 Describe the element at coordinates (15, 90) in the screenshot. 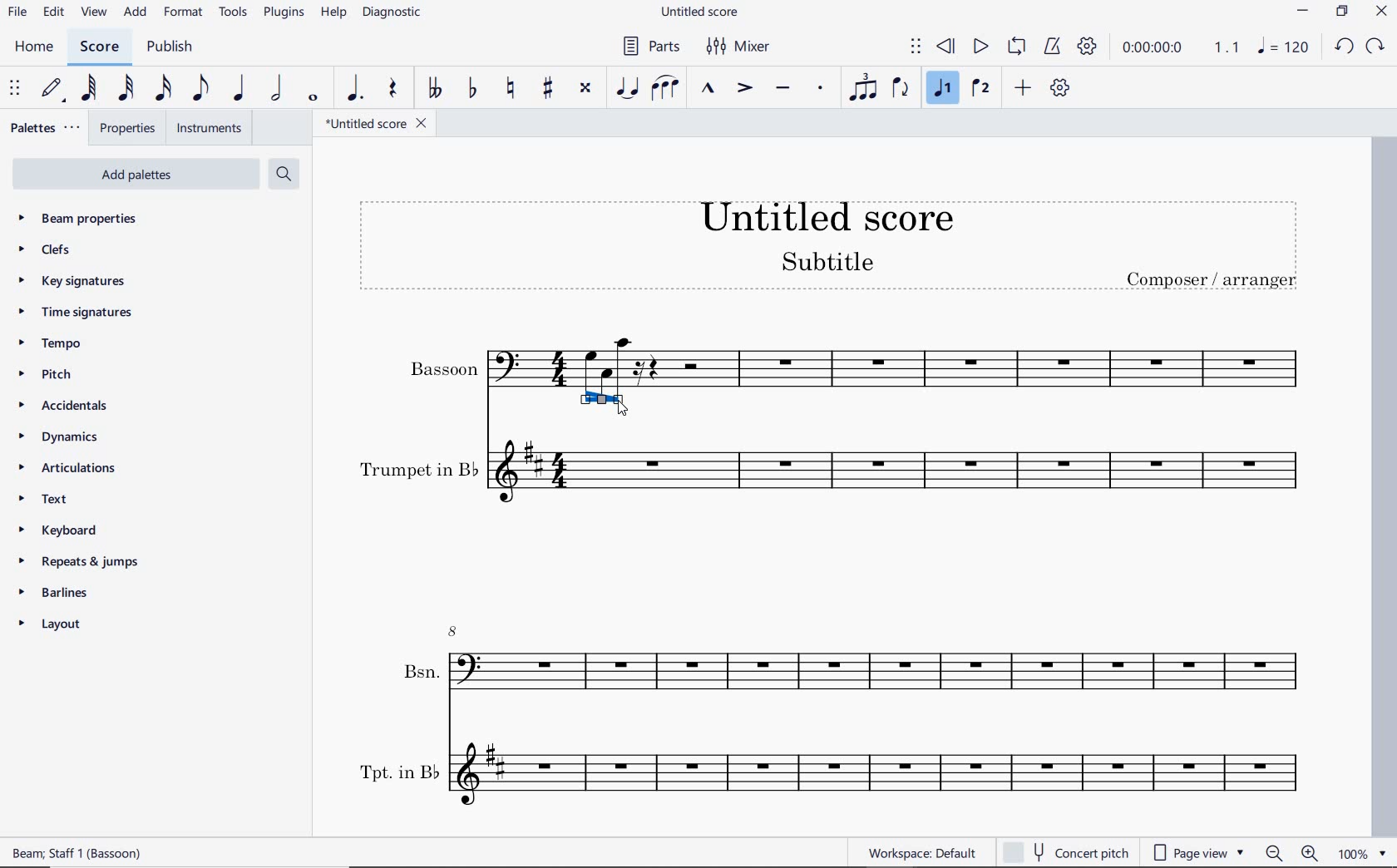

I see `select to move` at that location.